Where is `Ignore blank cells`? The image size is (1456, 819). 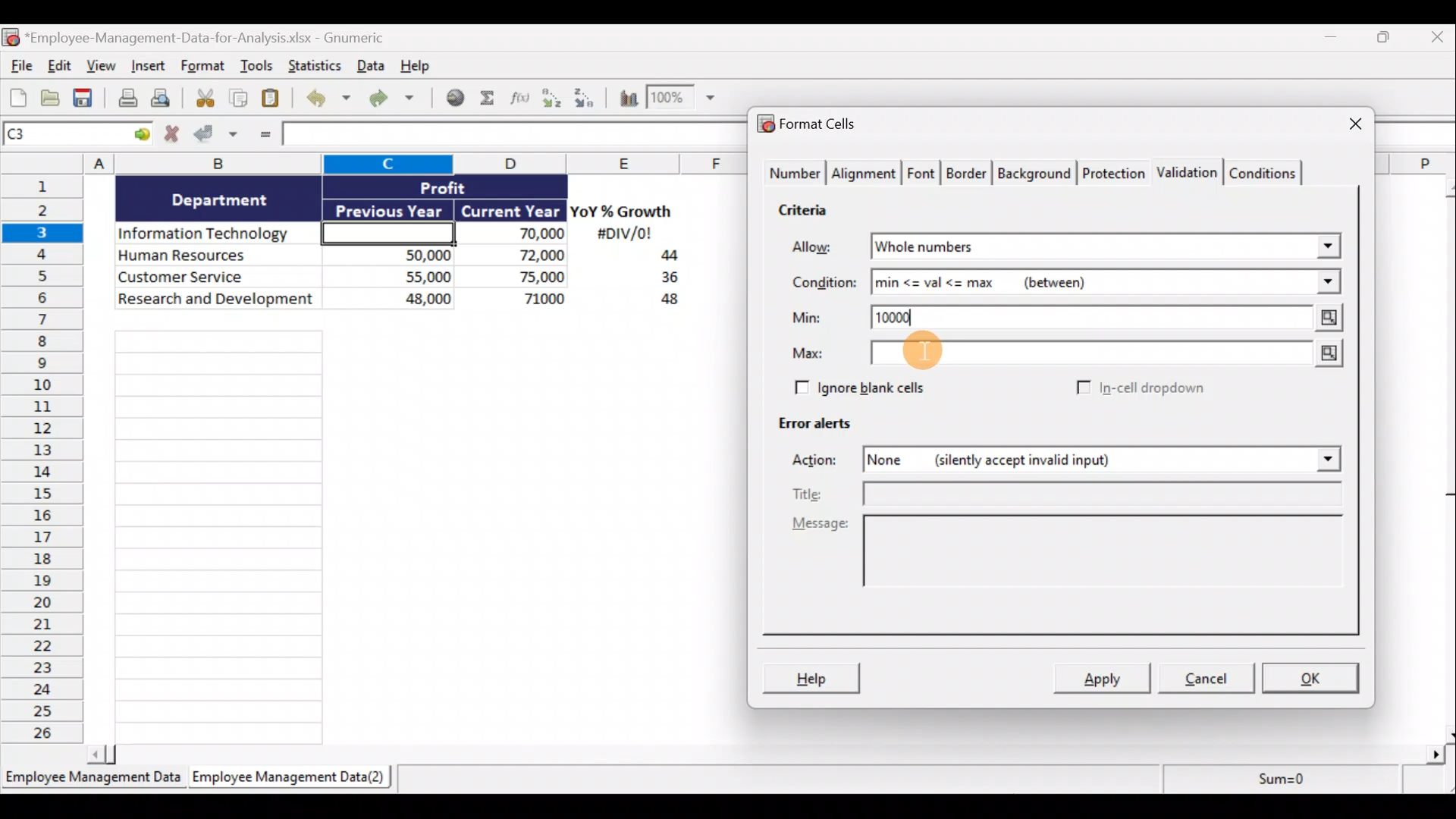 Ignore blank cells is located at coordinates (882, 388).